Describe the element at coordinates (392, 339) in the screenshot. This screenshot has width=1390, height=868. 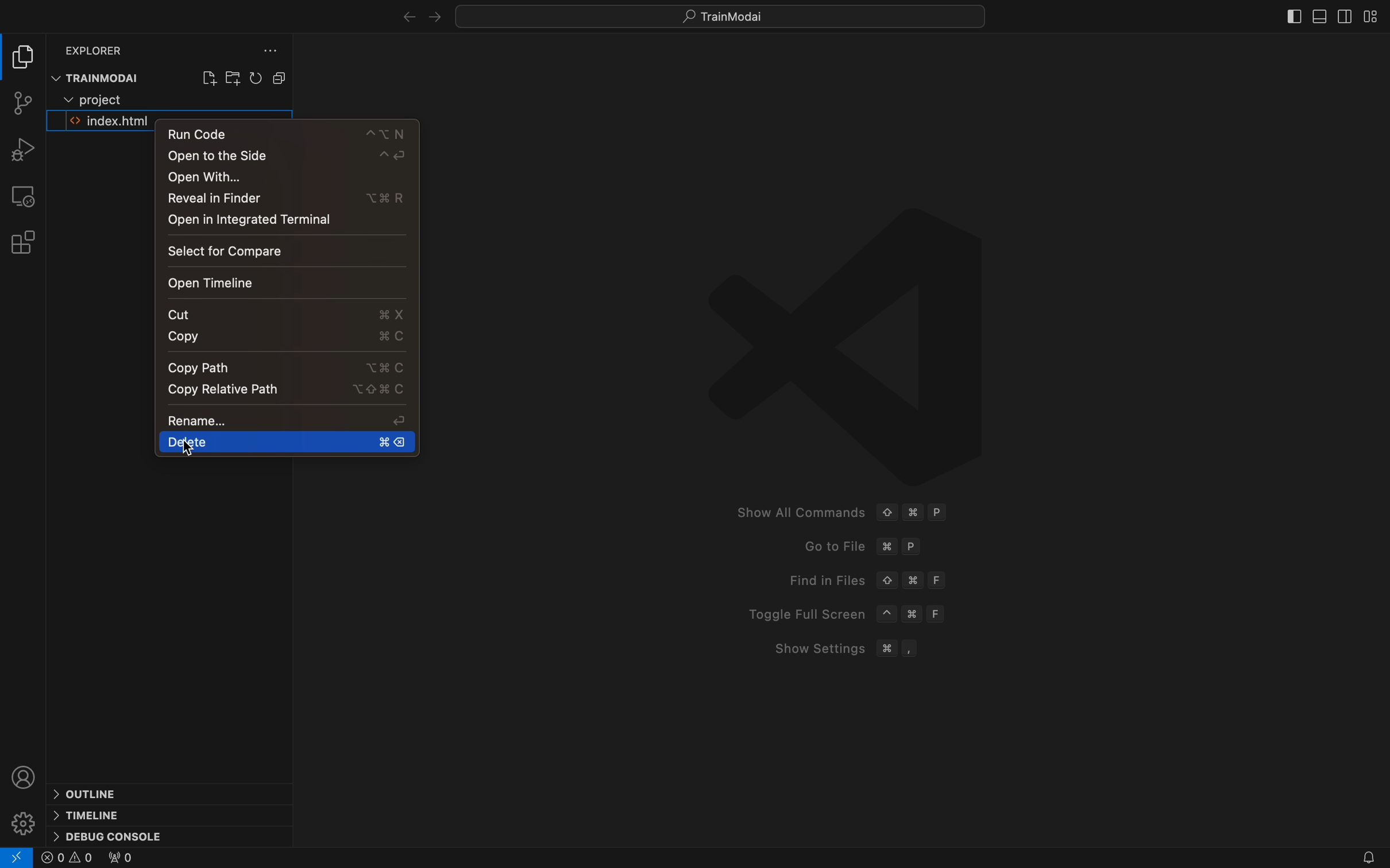
I see `C` at that location.